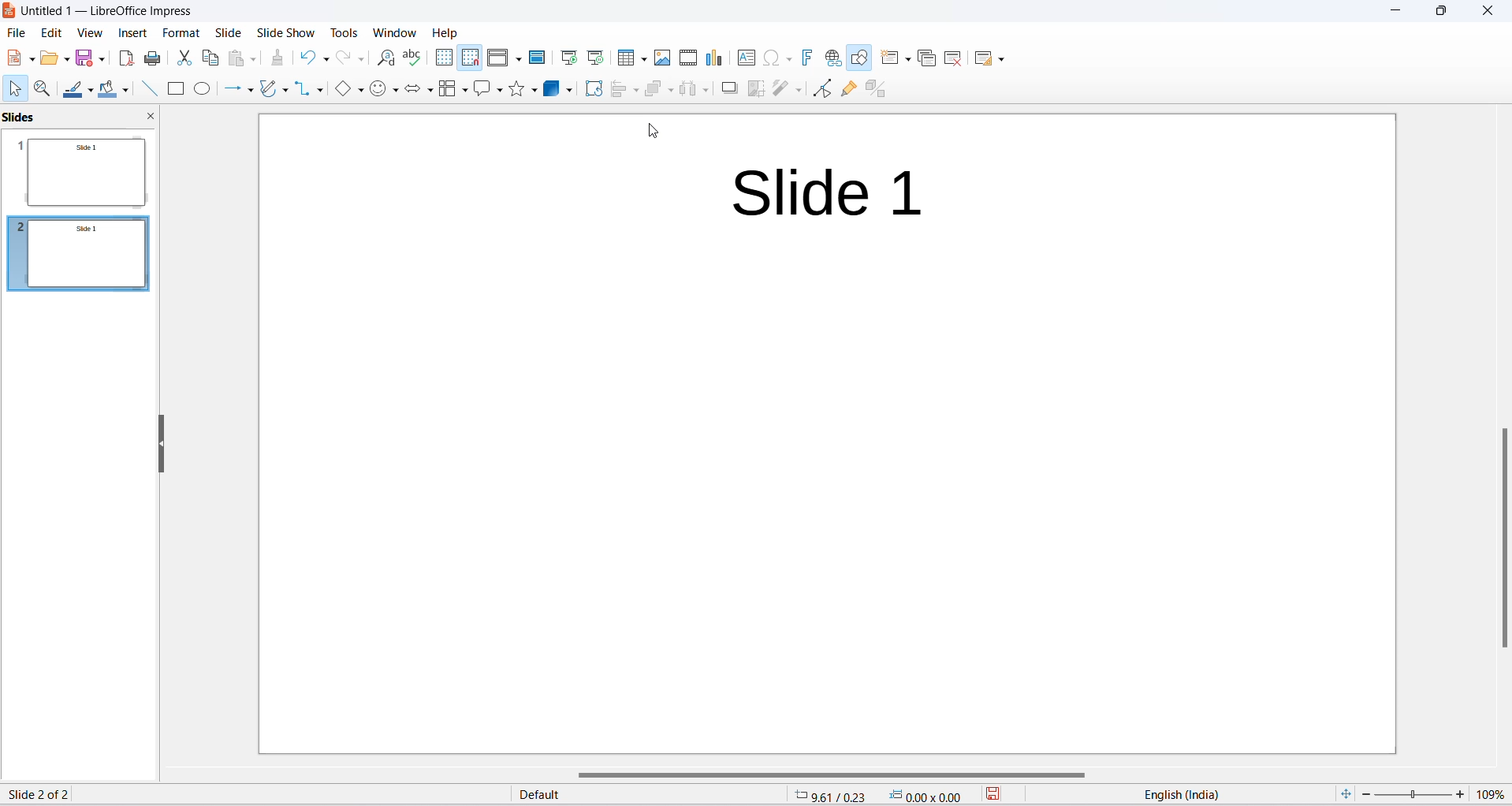 This screenshot has width=1512, height=806. I want to click on vertical scroll bar, so click(1503, 542).